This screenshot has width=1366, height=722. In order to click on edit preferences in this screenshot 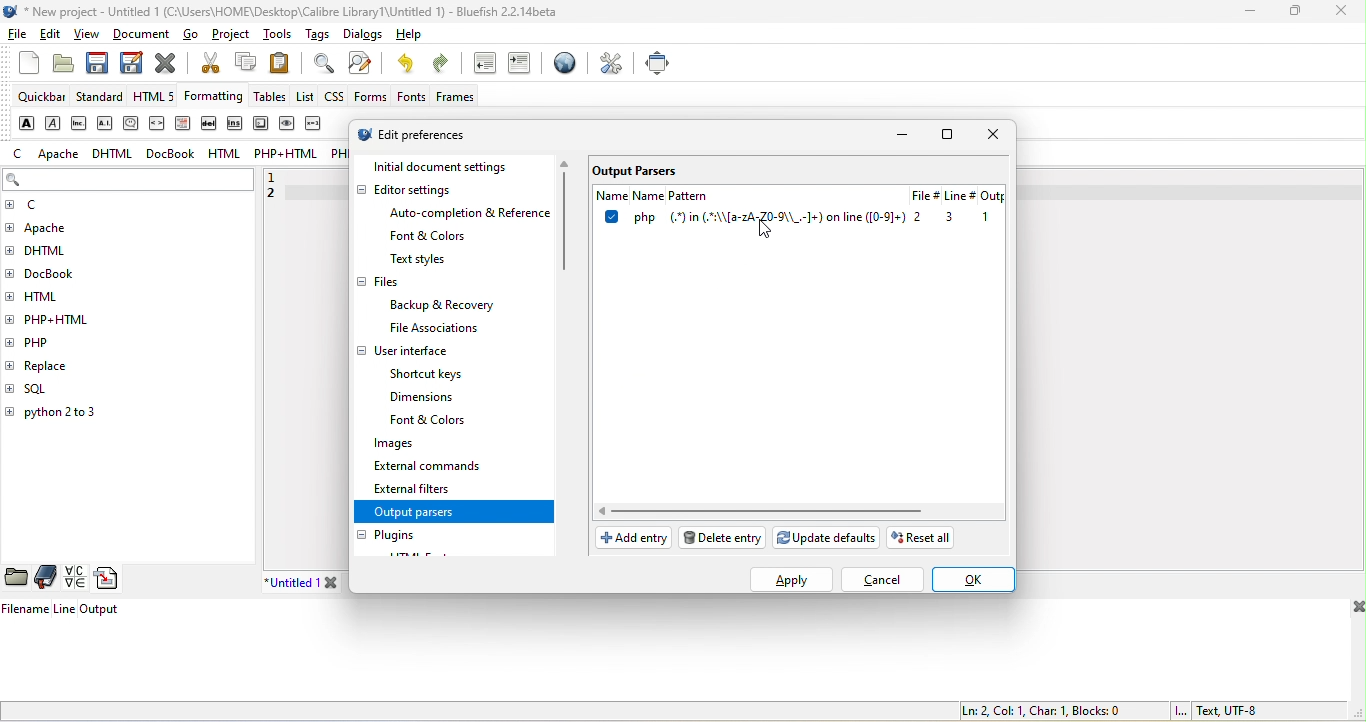, I will do `click(431, 135)`.